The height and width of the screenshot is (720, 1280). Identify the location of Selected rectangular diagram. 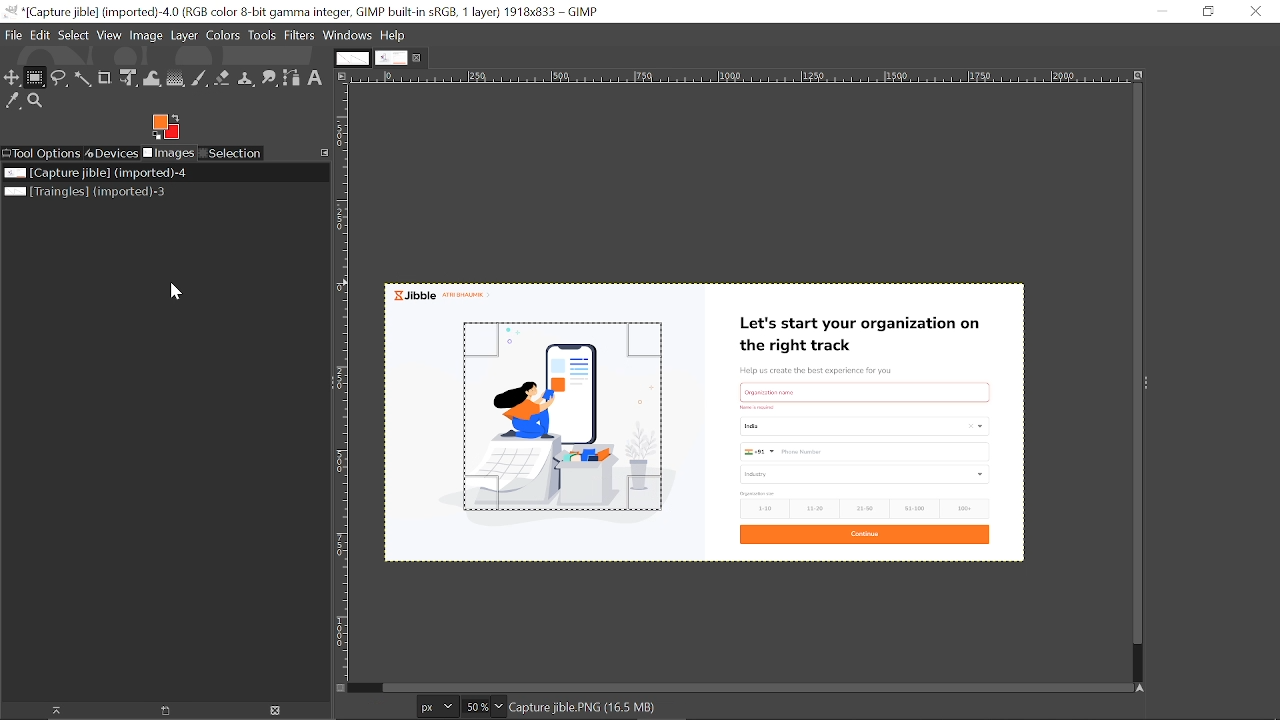
(568, 418).